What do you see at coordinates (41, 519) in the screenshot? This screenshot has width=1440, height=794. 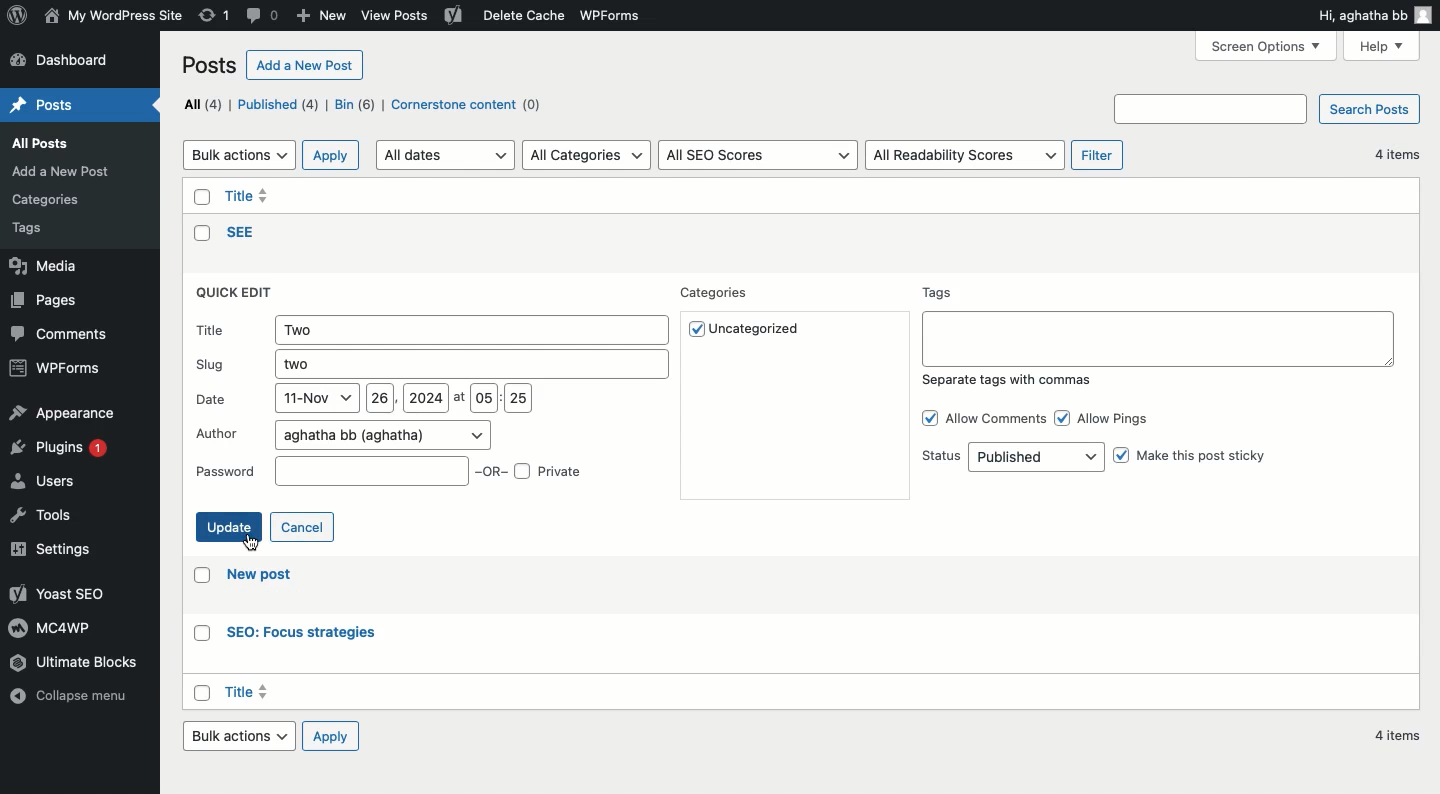 I see `Tools` at bounding box center [41, 519].